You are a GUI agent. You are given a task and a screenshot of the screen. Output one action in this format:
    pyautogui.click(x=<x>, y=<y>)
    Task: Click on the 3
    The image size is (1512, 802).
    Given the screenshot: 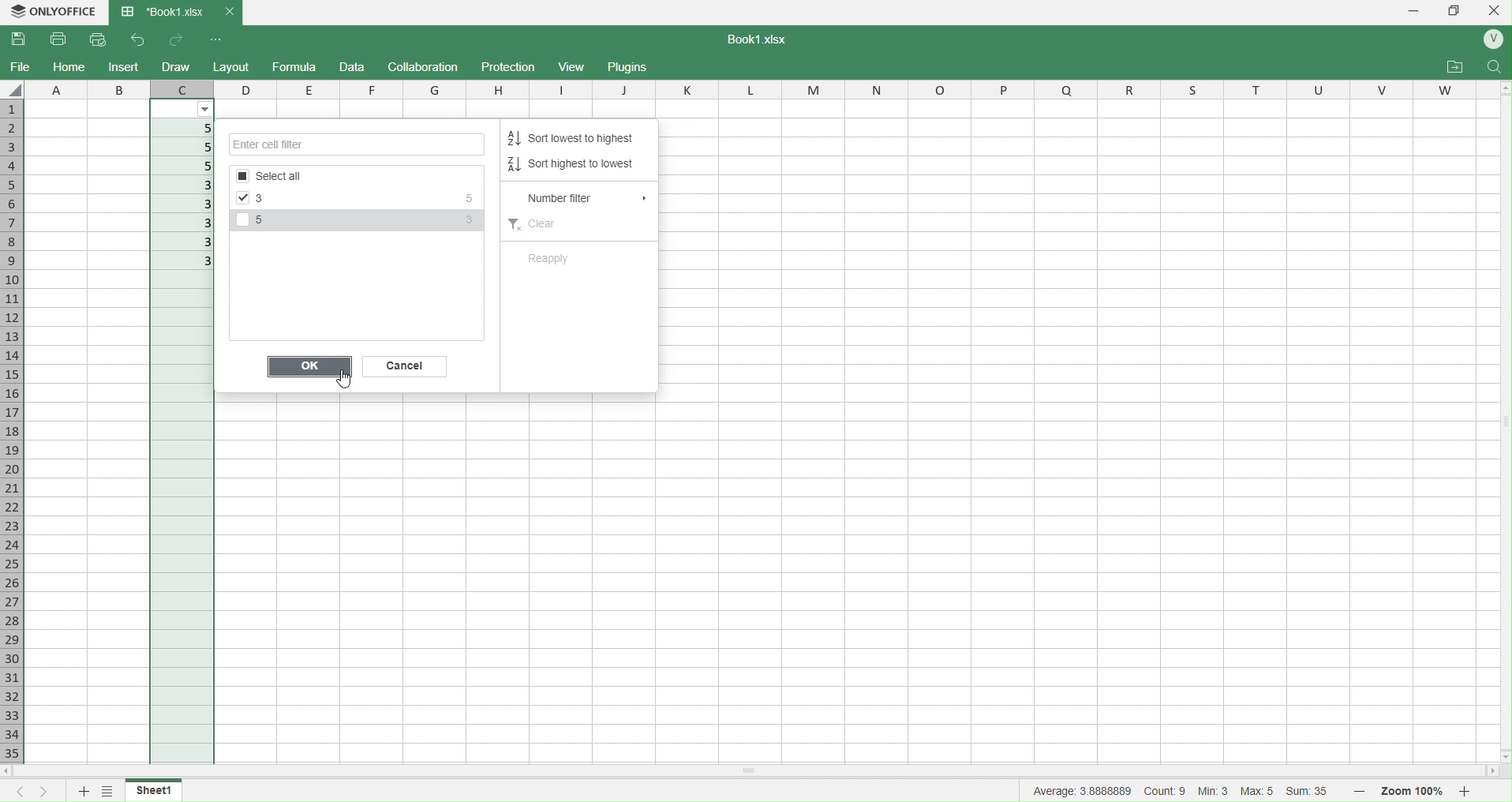 What is the action you would take?
    pyautogui.click(x=270, y=199)
    